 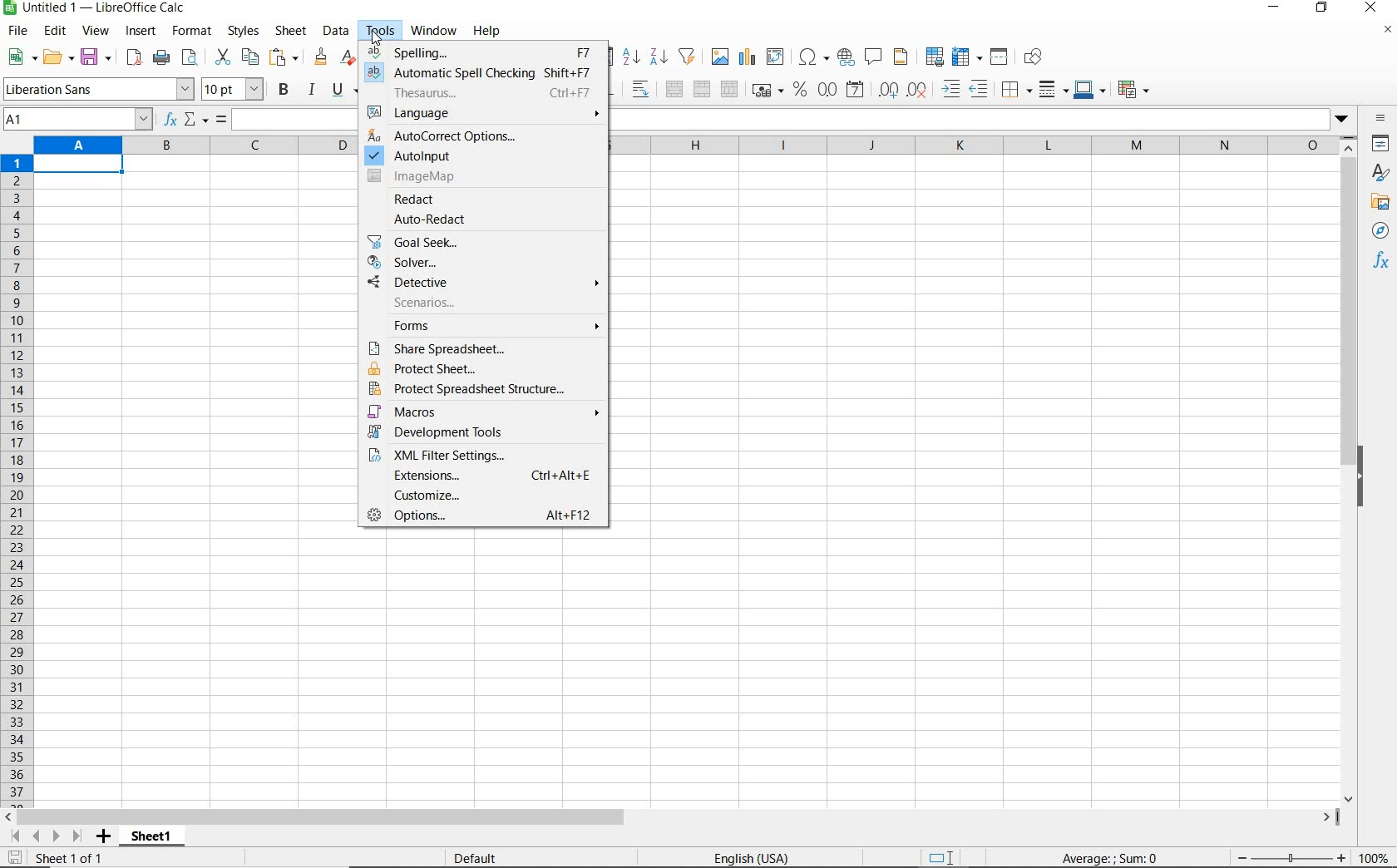 I want to click on data, so click(x=335, y=31).